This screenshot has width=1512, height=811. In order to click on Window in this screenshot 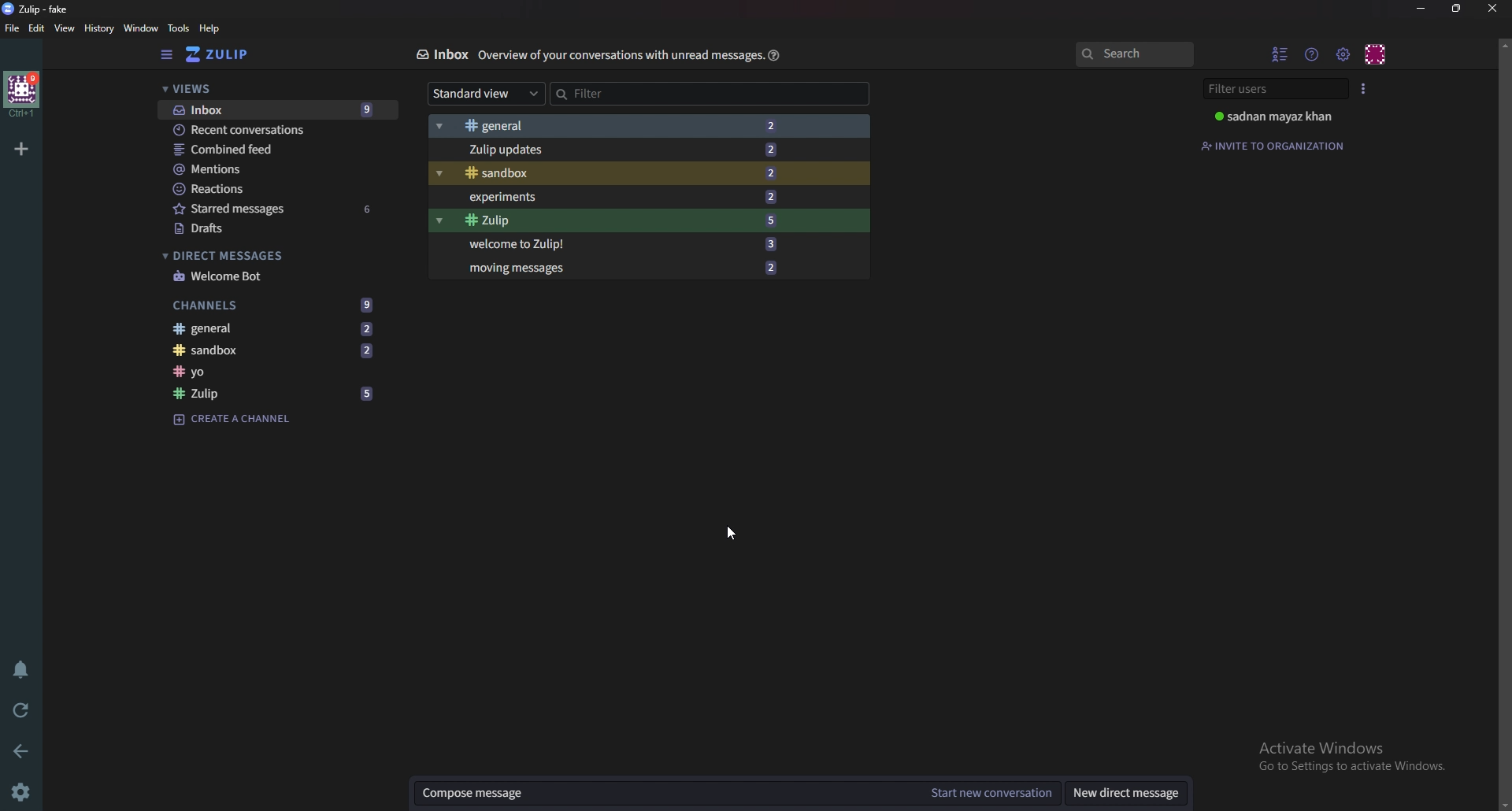, I will do `click(140, 29)`.